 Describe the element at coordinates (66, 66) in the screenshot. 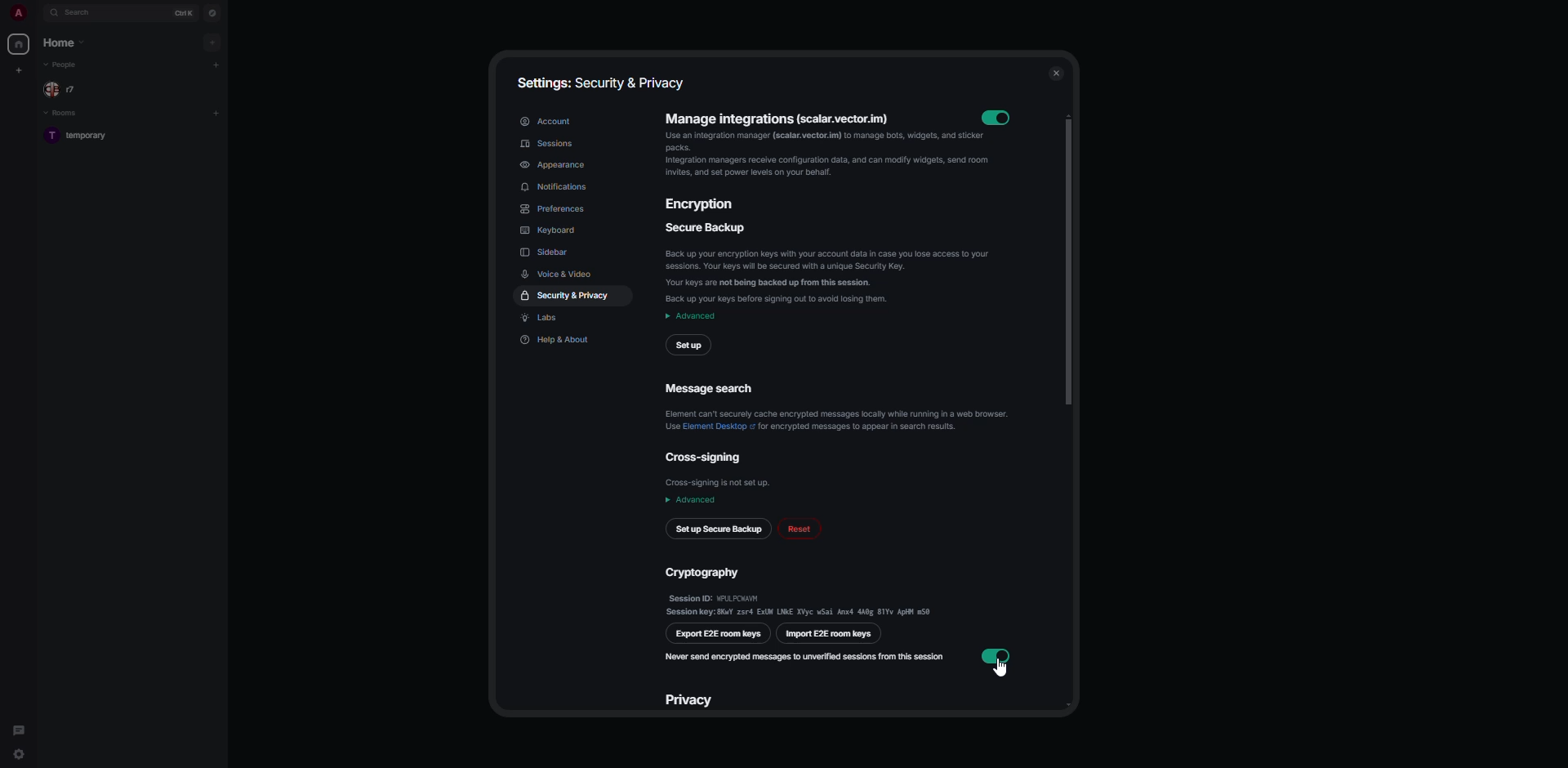

I see `people` at that location.